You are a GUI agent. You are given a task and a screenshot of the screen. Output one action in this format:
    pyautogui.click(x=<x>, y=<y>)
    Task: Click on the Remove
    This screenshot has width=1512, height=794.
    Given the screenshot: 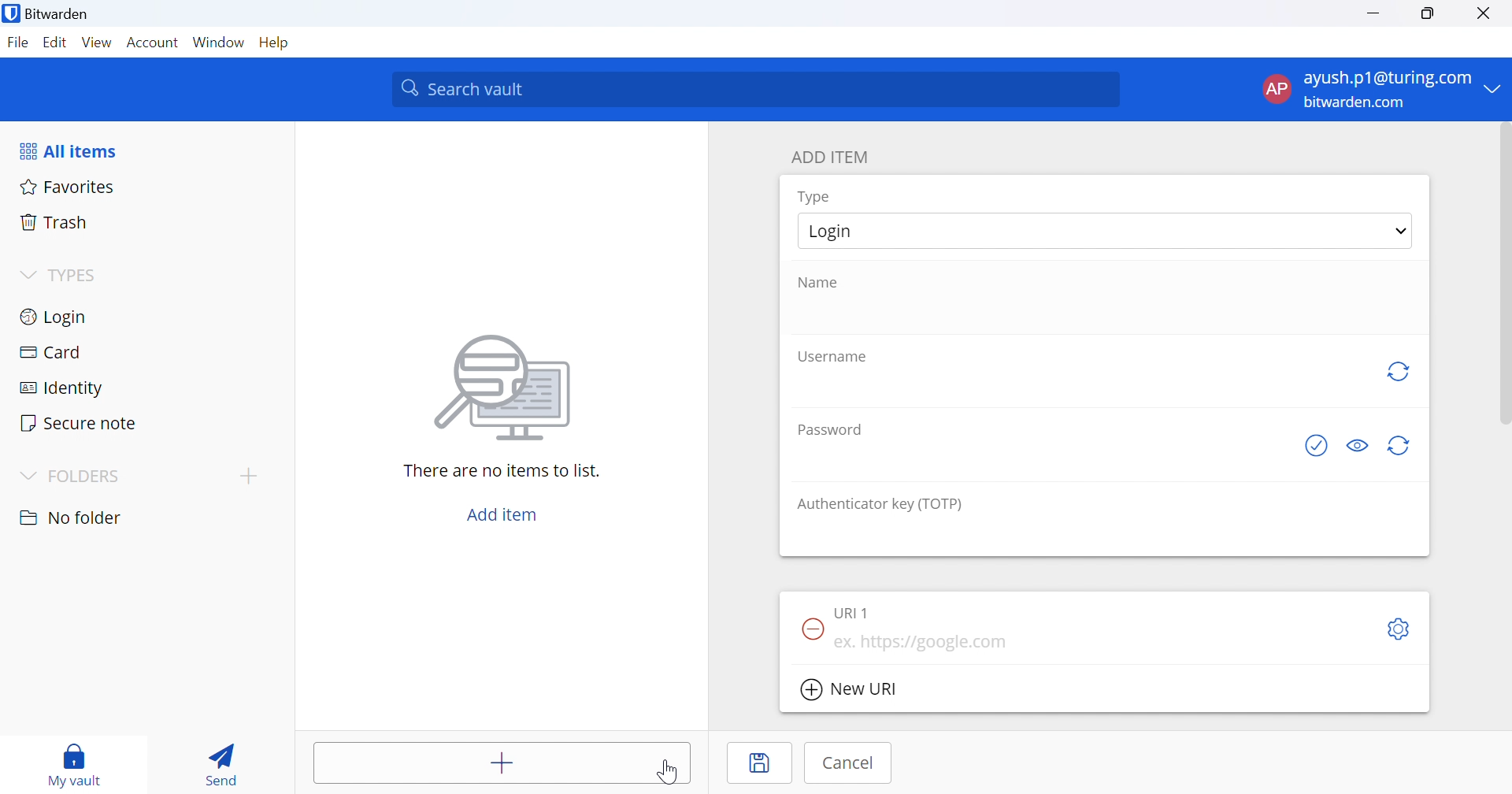 What is the action you would take?
    pyautogui.click(x=810, y=627)
    